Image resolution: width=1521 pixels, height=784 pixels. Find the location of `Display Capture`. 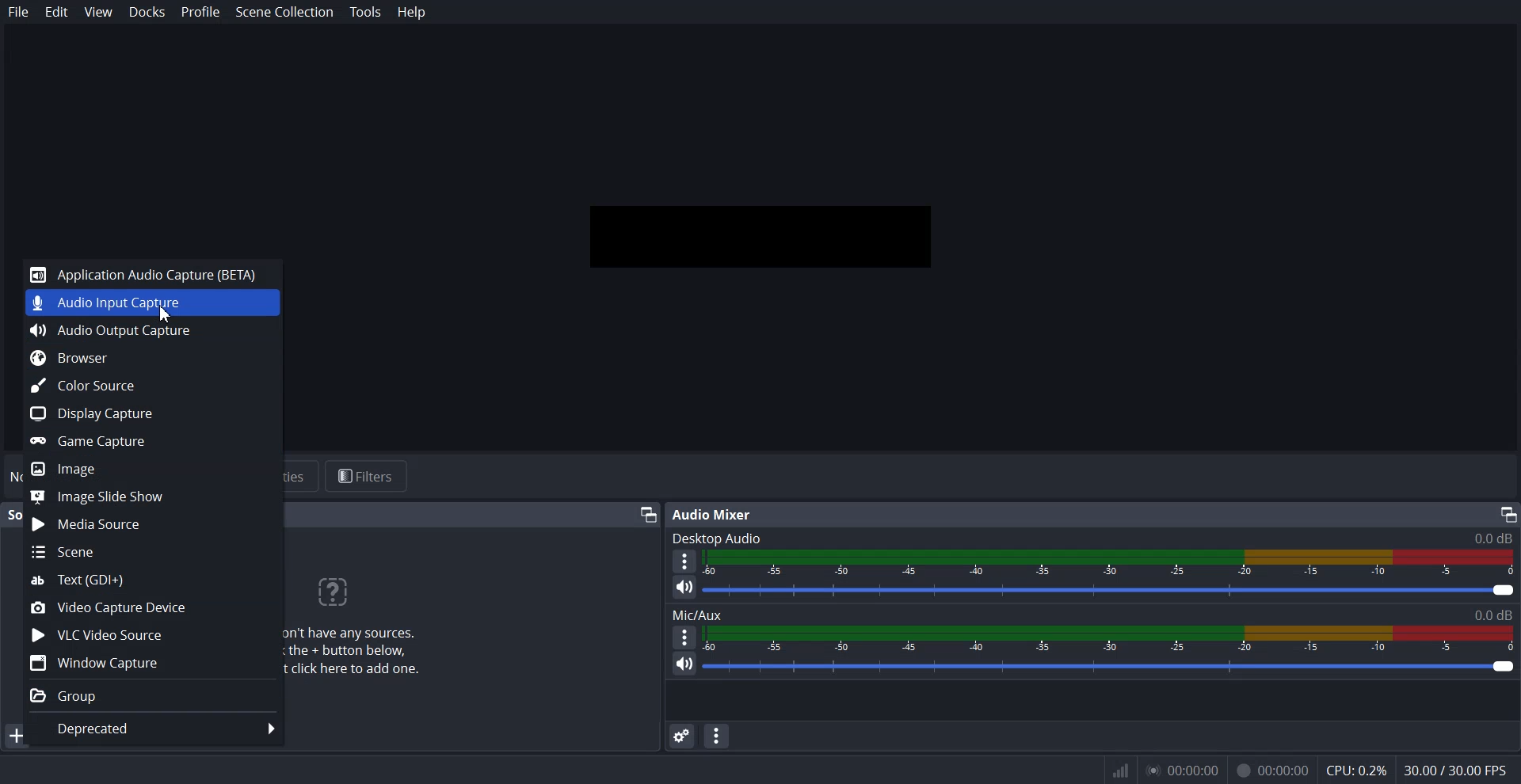

Display Capture is located at coordinates (152, 414).